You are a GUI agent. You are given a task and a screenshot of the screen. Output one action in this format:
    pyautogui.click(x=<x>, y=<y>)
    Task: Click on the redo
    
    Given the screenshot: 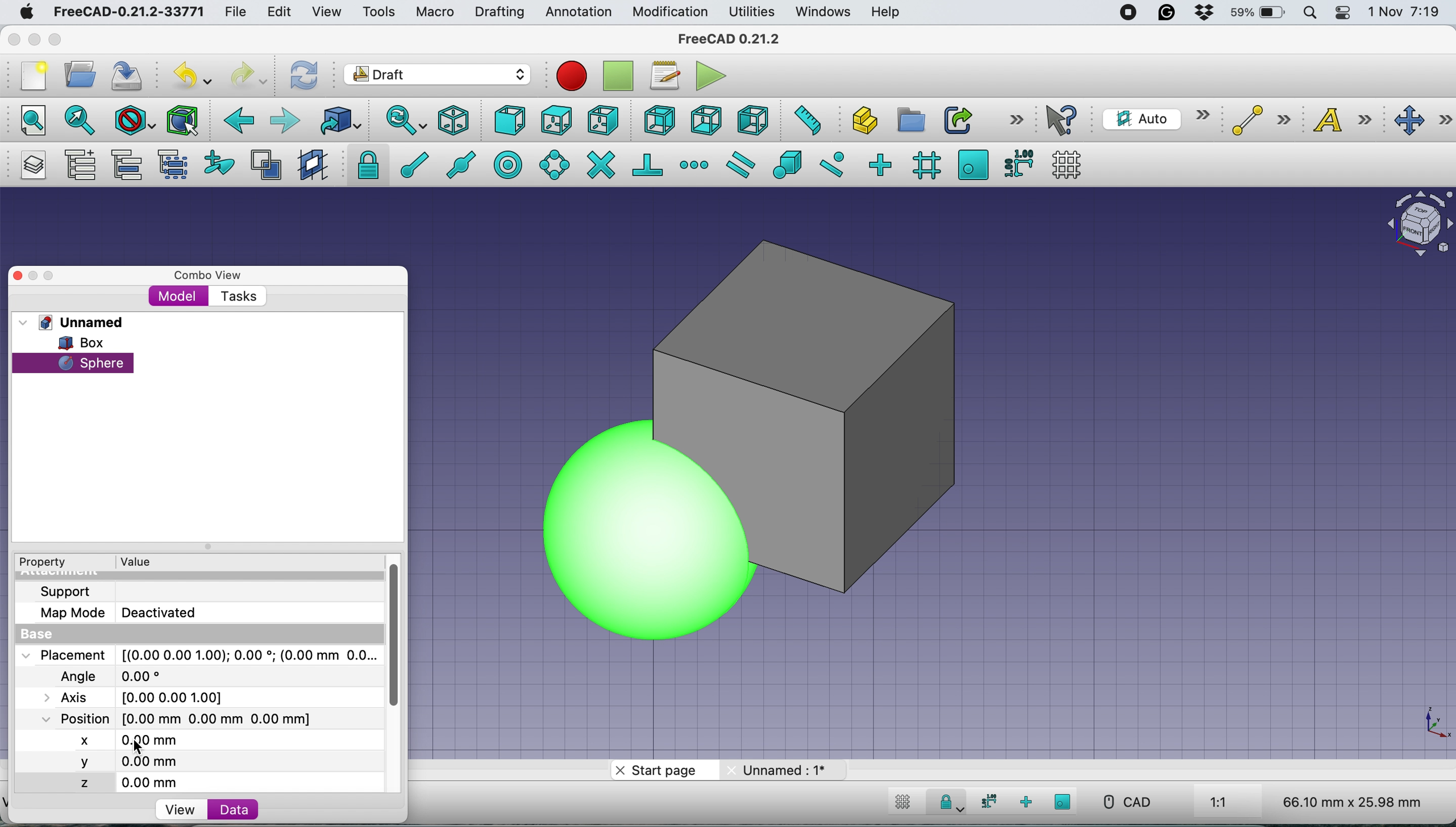 What is the action you would take?
    pyautogui.click(x=249, y=74)
    